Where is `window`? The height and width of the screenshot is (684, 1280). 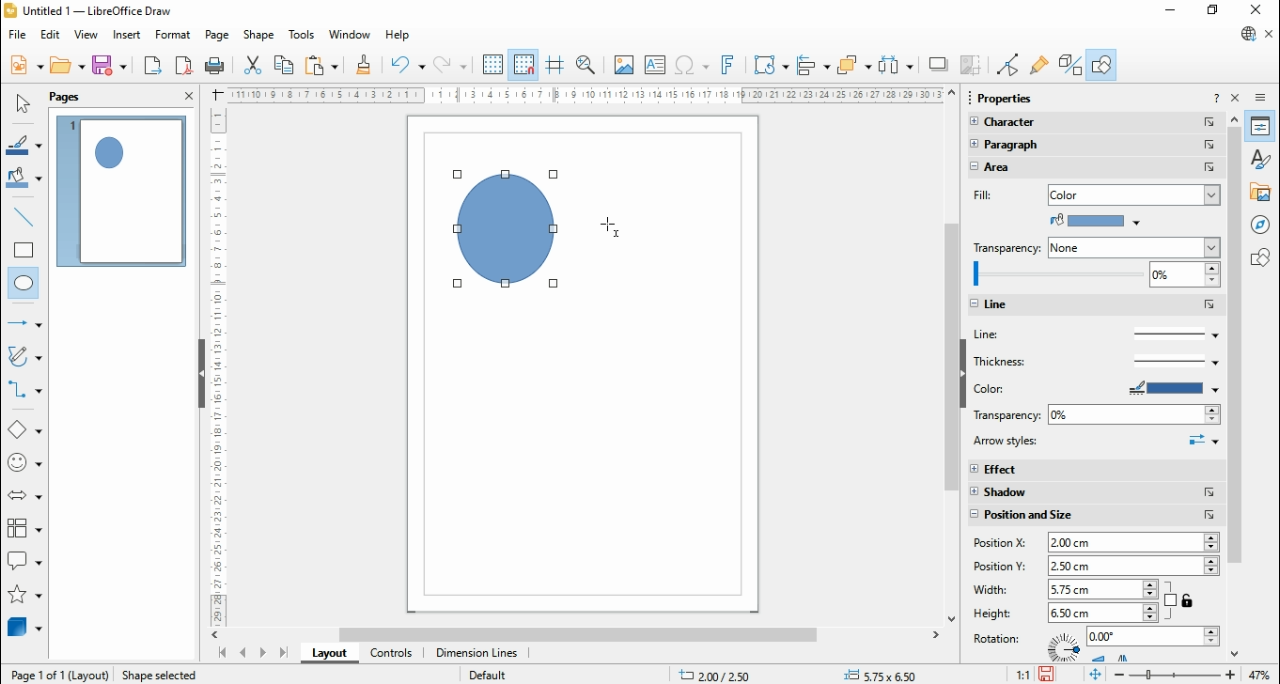 window is located at coordinates (350, 34).